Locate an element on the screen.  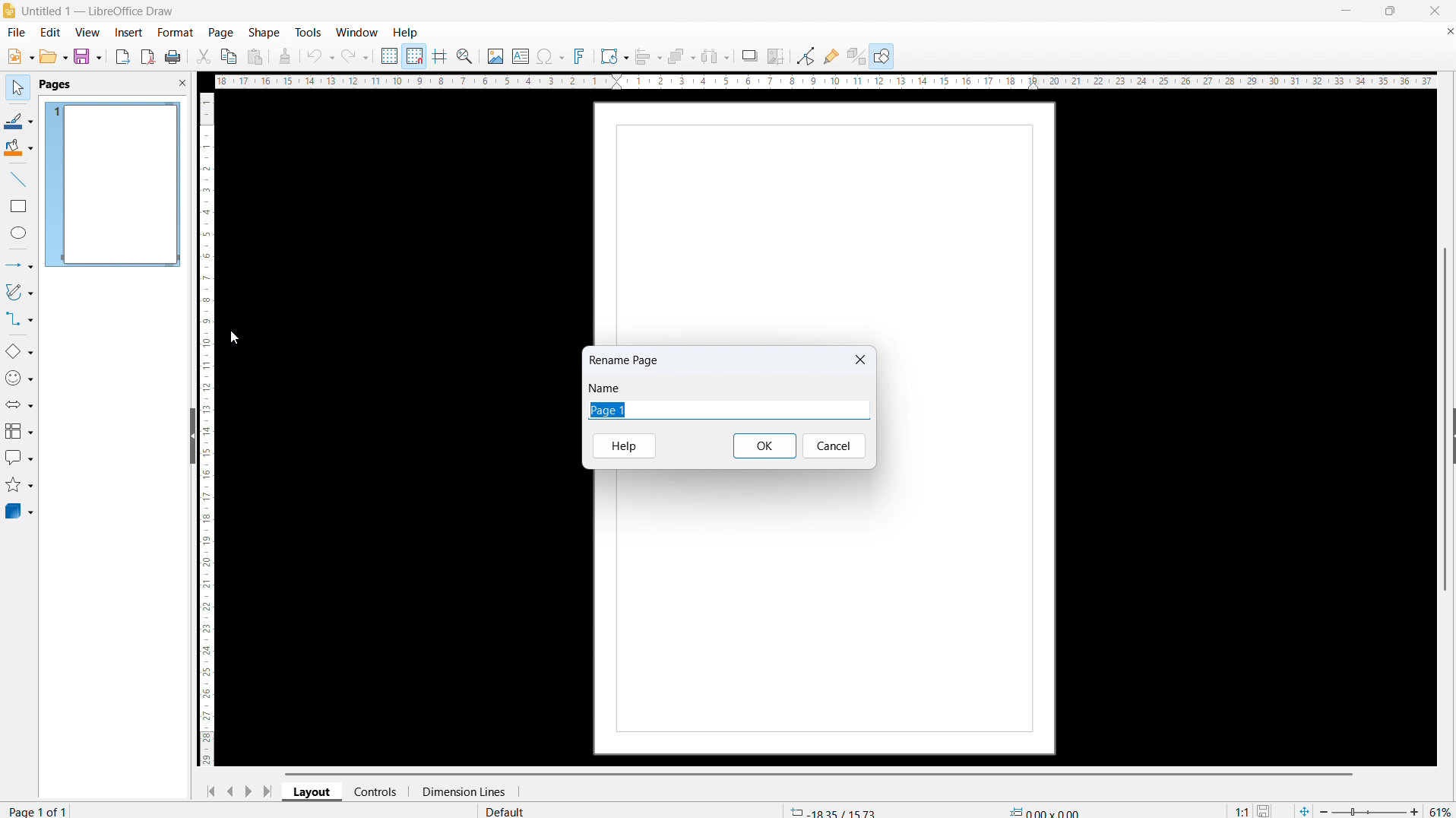
callout shapes is located at coordinates (20, 459).